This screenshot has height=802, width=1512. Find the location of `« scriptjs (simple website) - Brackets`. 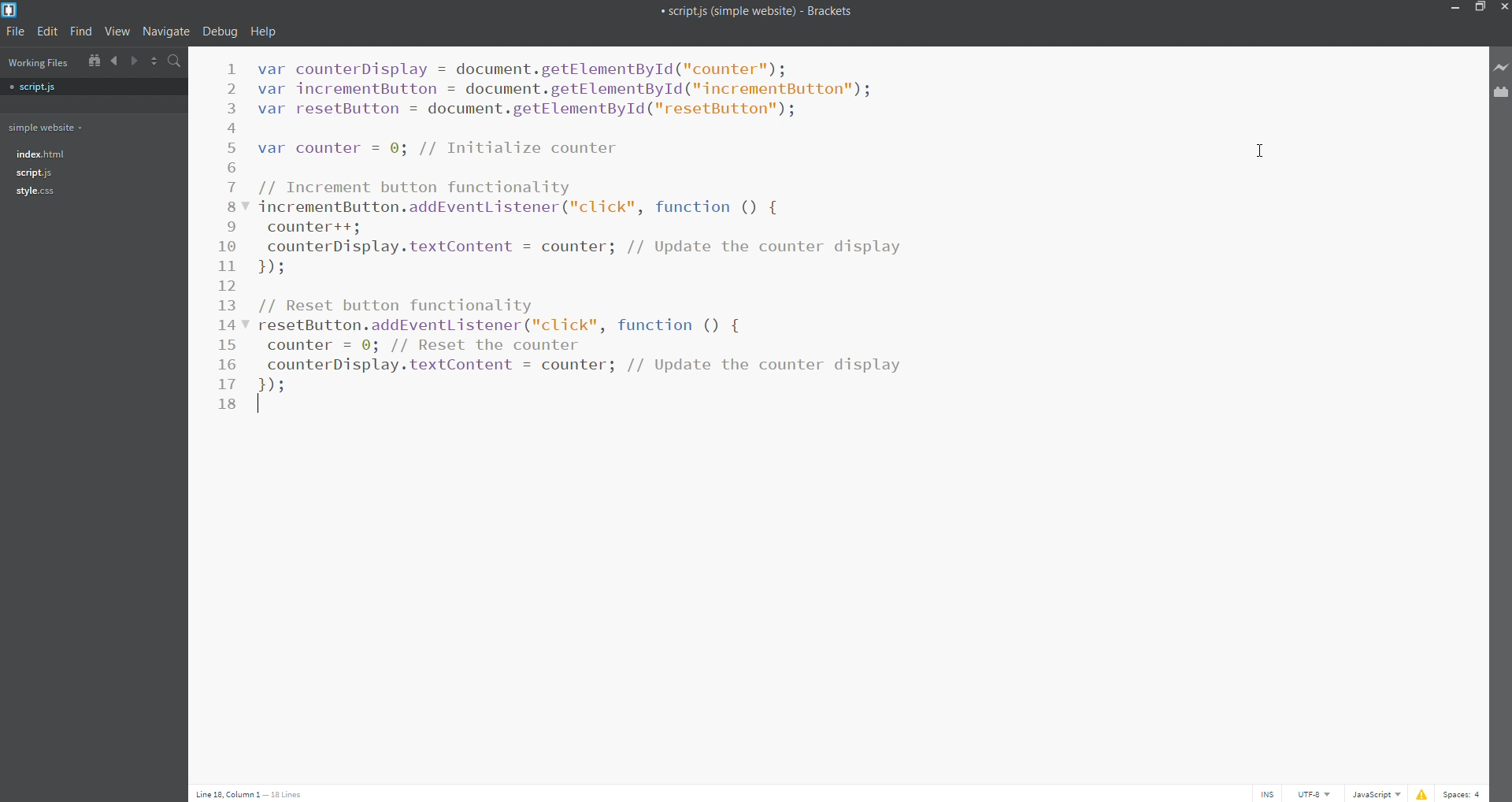

« scriptjs (simple website) - Brackets is located at coordinates (763, 13).